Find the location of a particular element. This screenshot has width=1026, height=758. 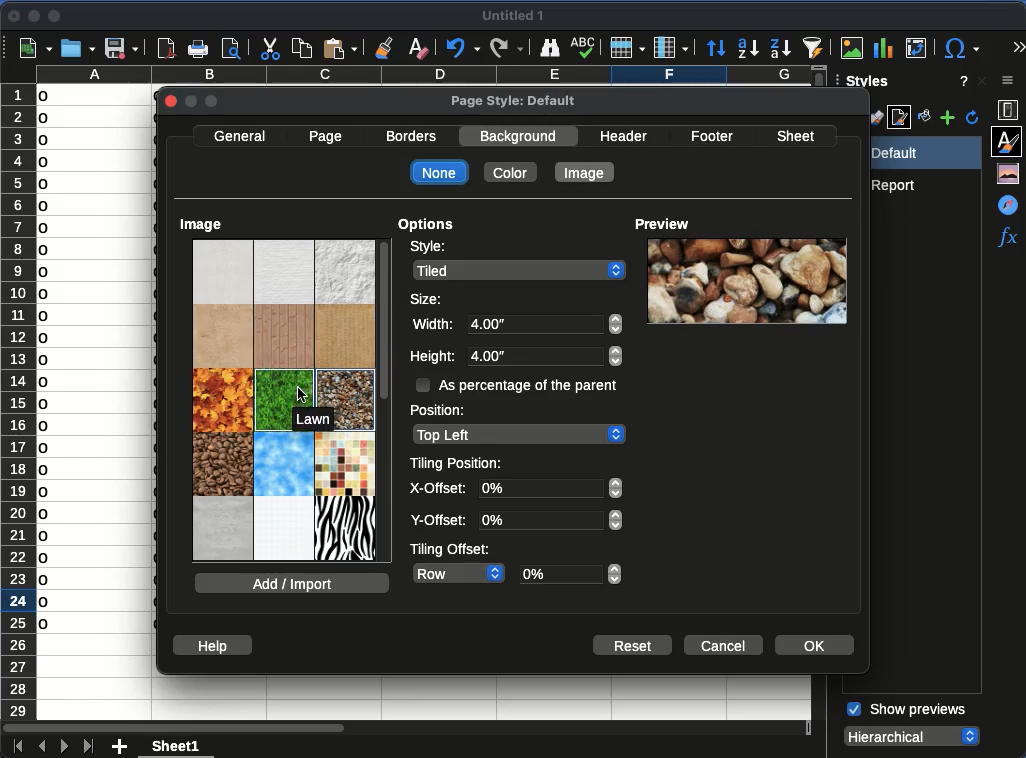

finder is located at coordinates (550, 47).